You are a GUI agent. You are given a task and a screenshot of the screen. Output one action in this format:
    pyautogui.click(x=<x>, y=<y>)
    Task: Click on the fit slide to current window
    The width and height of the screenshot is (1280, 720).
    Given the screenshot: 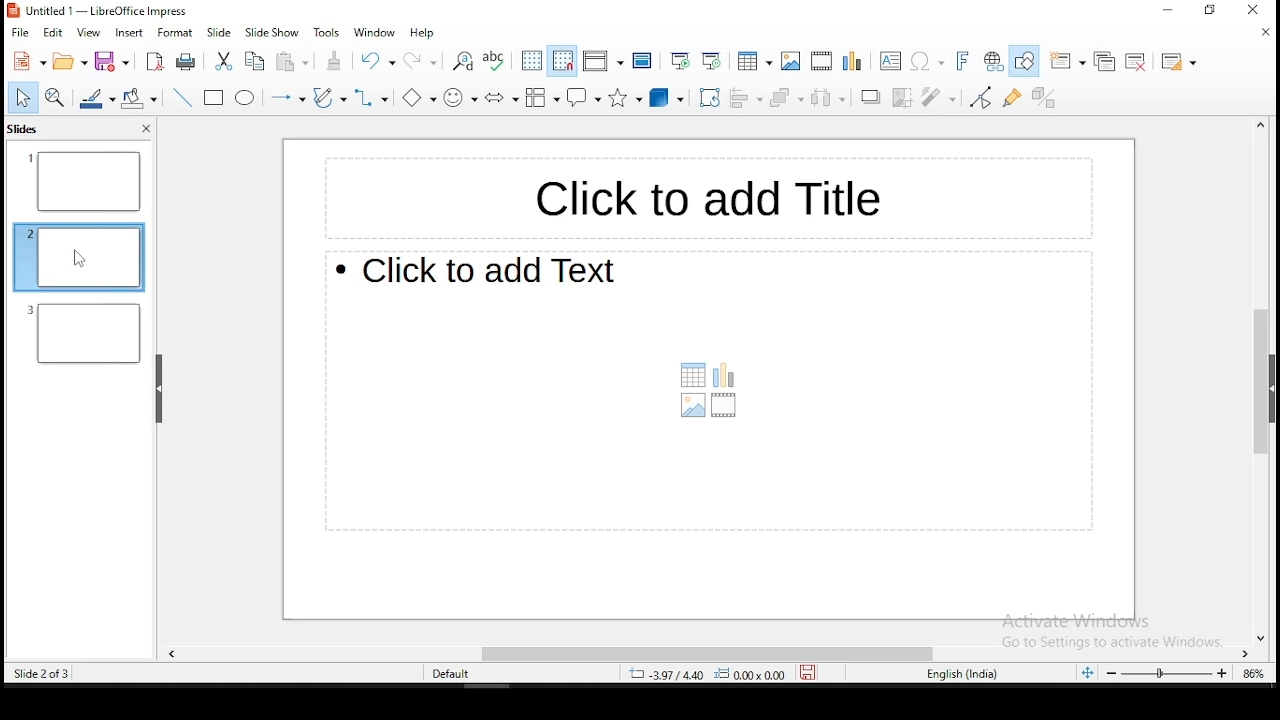 What is the action you would take?
    pyautogui.click(x=1084, y=673)
    